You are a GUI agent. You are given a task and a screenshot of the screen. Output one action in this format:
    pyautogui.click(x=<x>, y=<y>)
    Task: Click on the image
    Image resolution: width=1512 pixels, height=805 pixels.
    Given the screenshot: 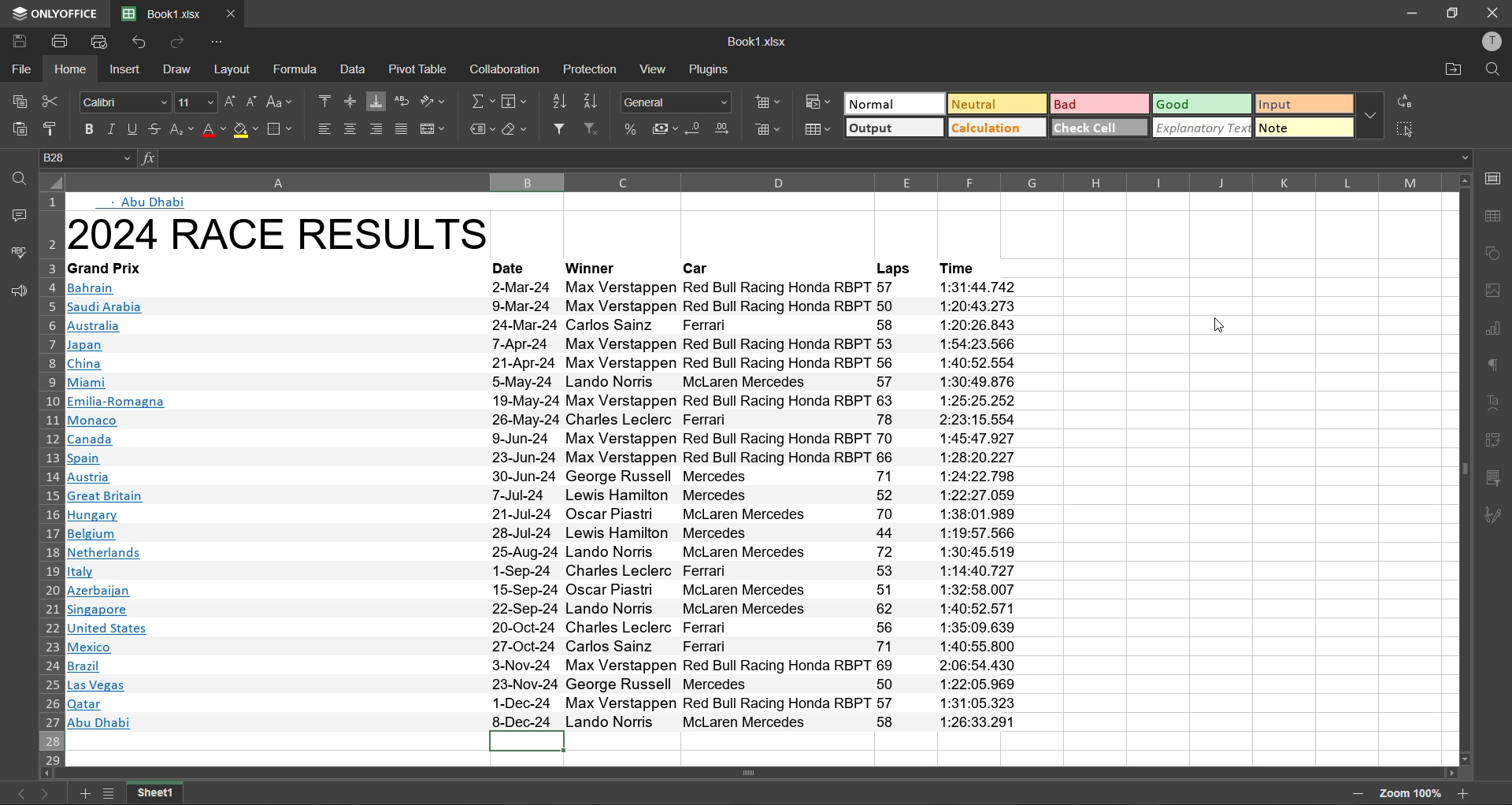 What is the action you would take?
    pyautogui.click(x=1498, y=289)
    